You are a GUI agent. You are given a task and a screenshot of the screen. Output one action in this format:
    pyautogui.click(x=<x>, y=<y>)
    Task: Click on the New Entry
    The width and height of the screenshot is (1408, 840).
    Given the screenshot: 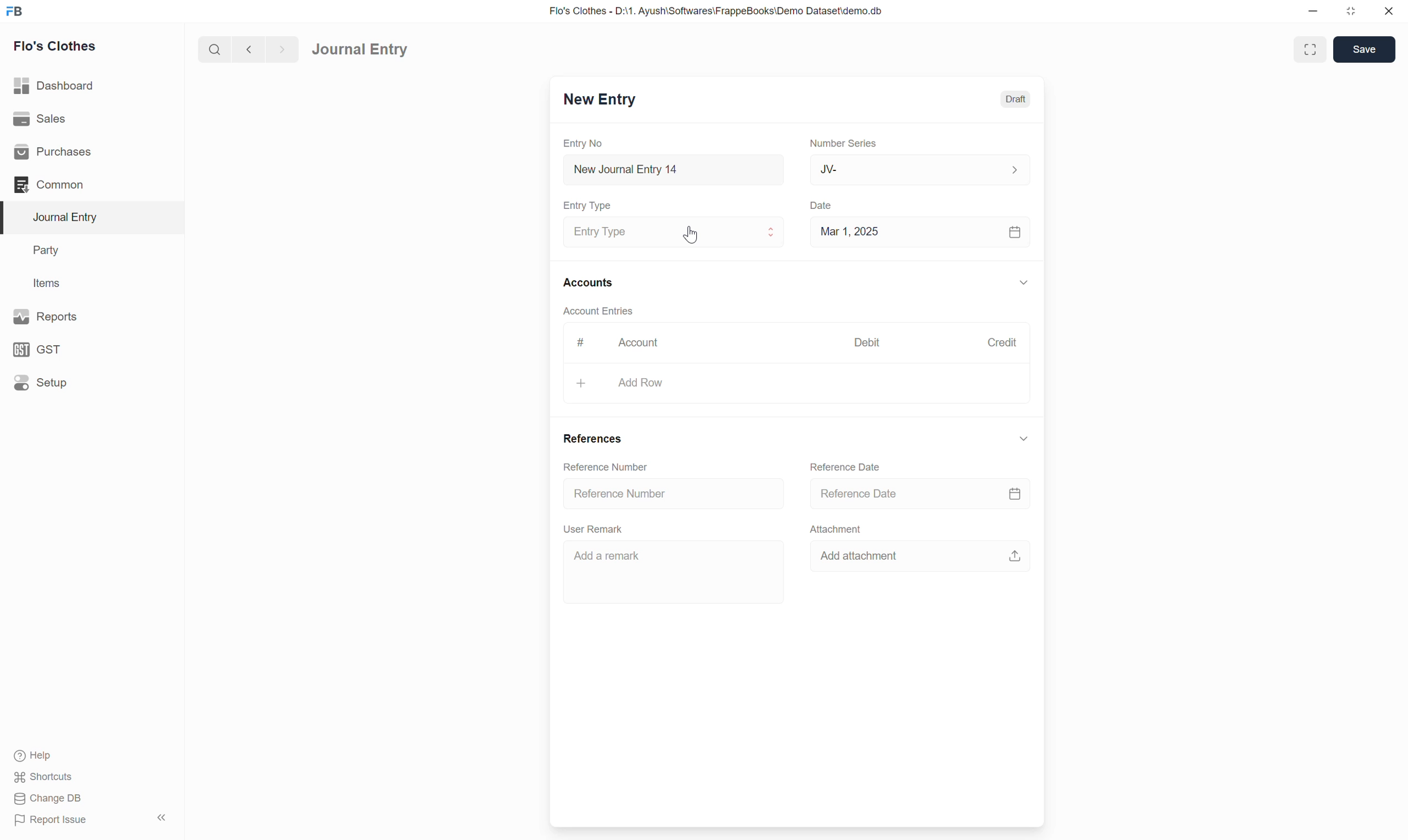 What is the action you would take?
    pyautogui.click(x=600, y=98)
    